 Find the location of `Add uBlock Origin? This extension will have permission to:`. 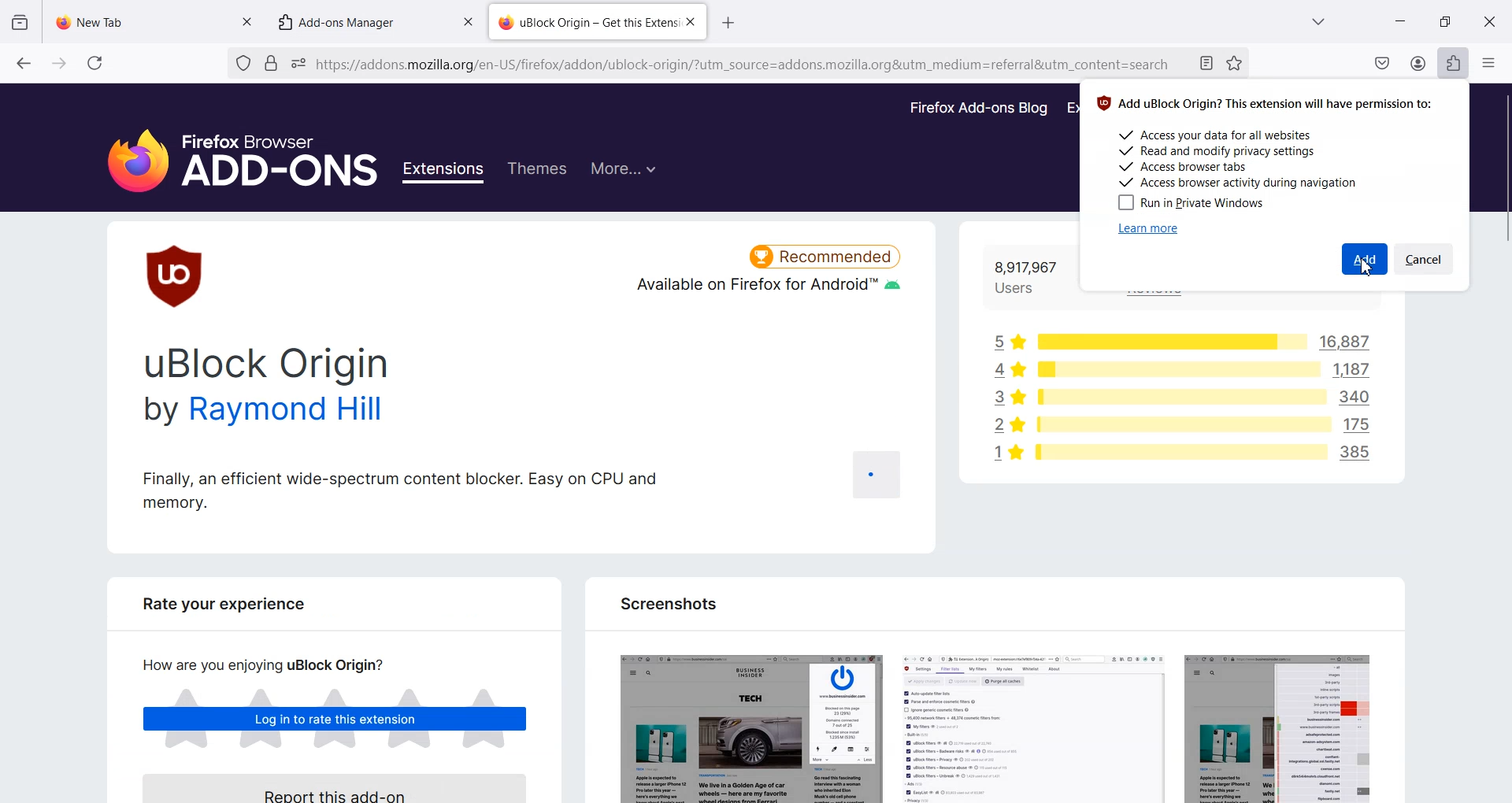

Add uBlock Origin? This extension will have permission to: is located at coordinates (1267, 102).